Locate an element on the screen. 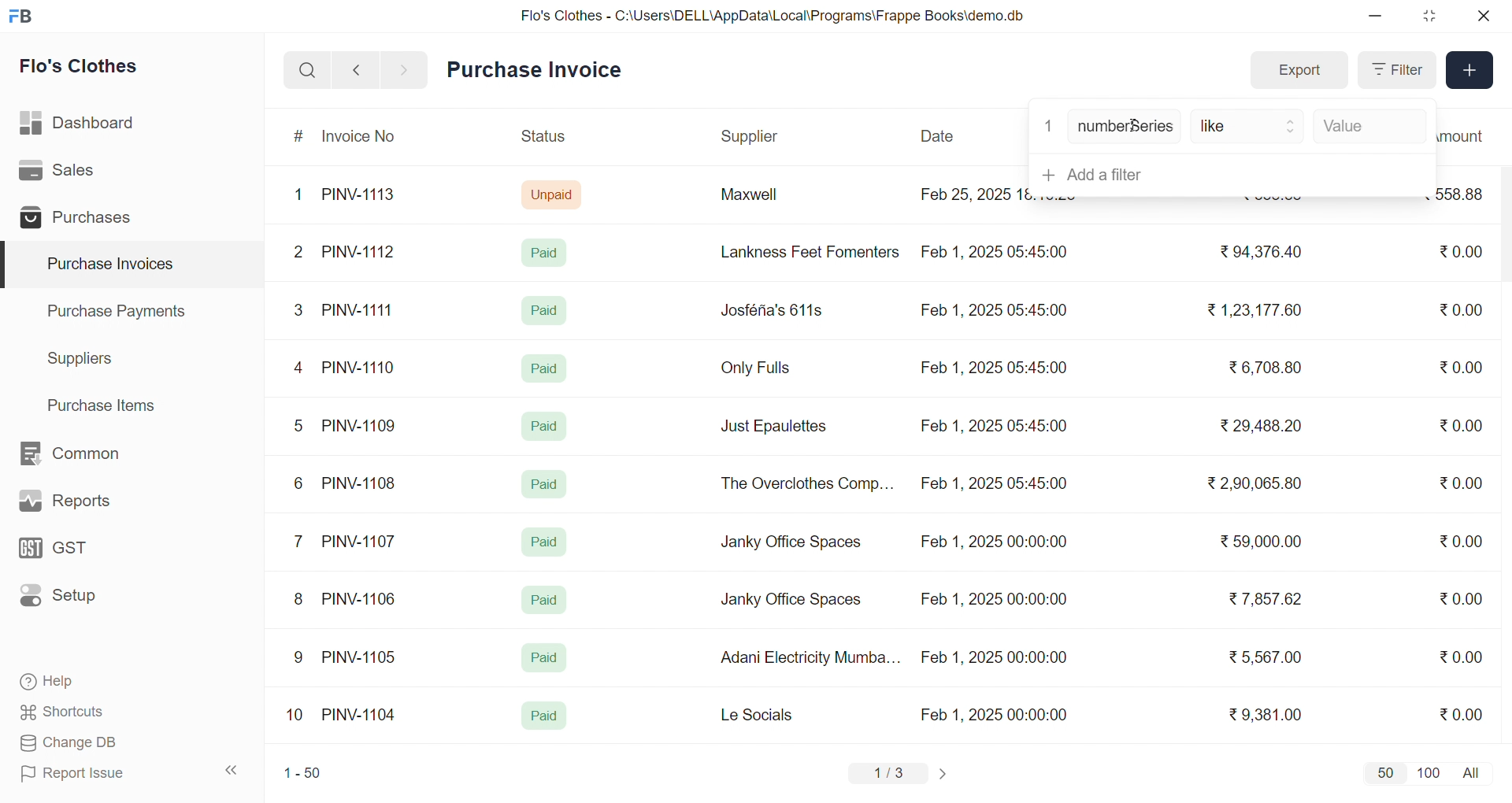 This screenshot has height=803, width=1512. Paid is located at coordinates (543, 658).